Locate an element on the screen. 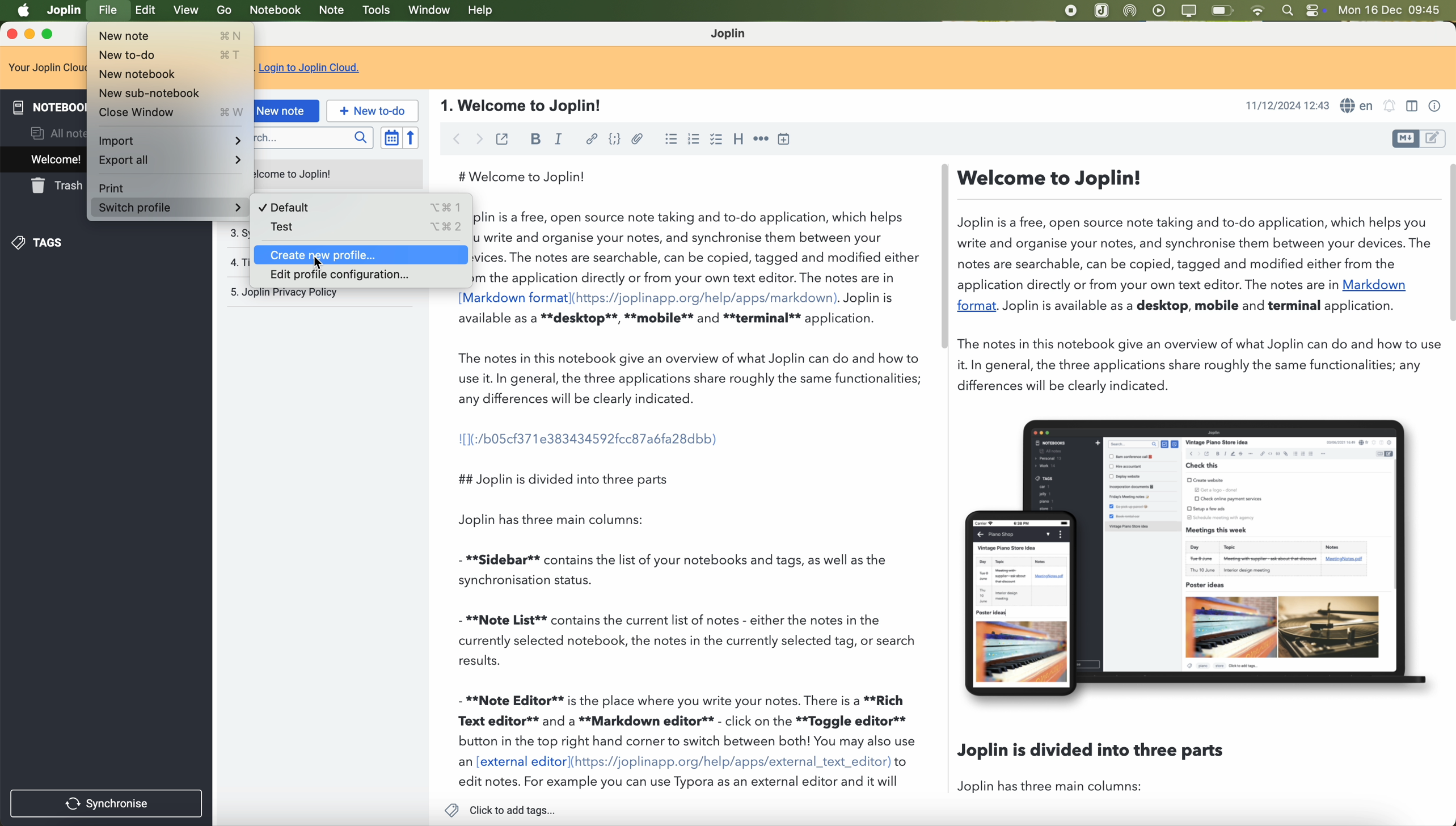  Export all is located at coordinates (171, 162).